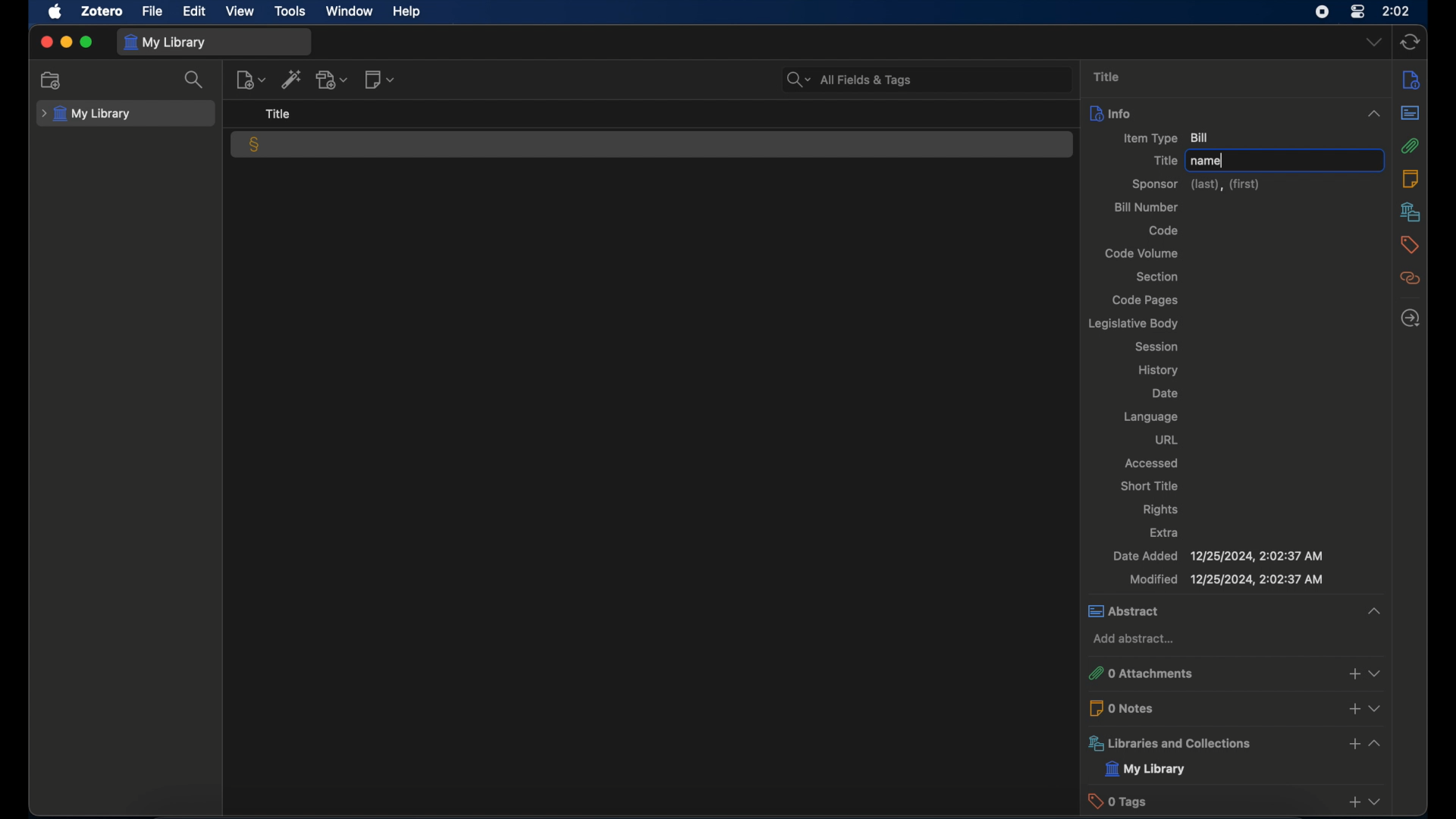 The width and height of the screenshot is (1456, 819). Describe the element at coordinates (1150, 418) in the screenshot. I see `language` at that location.